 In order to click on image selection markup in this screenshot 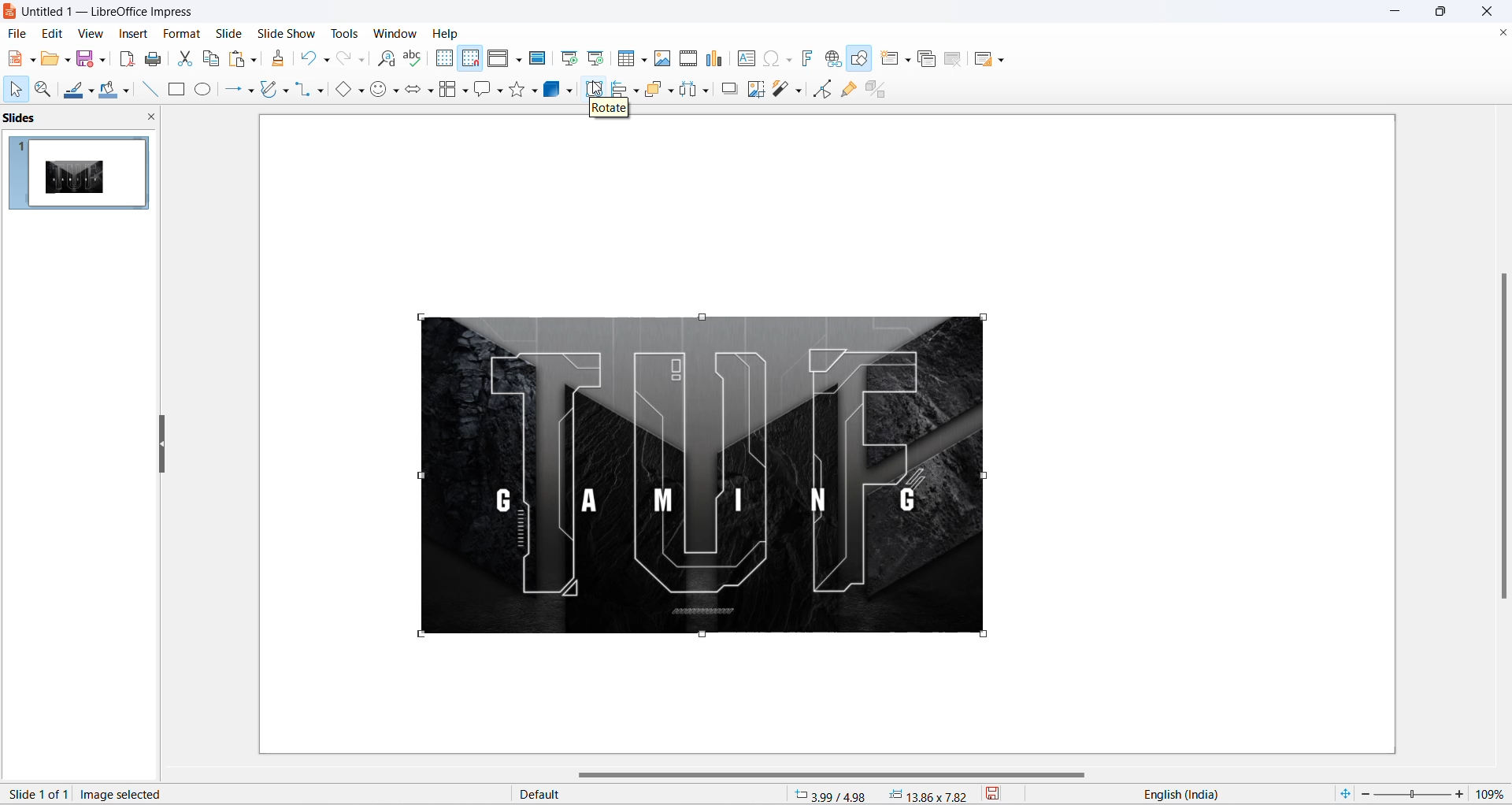, I will do `click(422, 317)`.